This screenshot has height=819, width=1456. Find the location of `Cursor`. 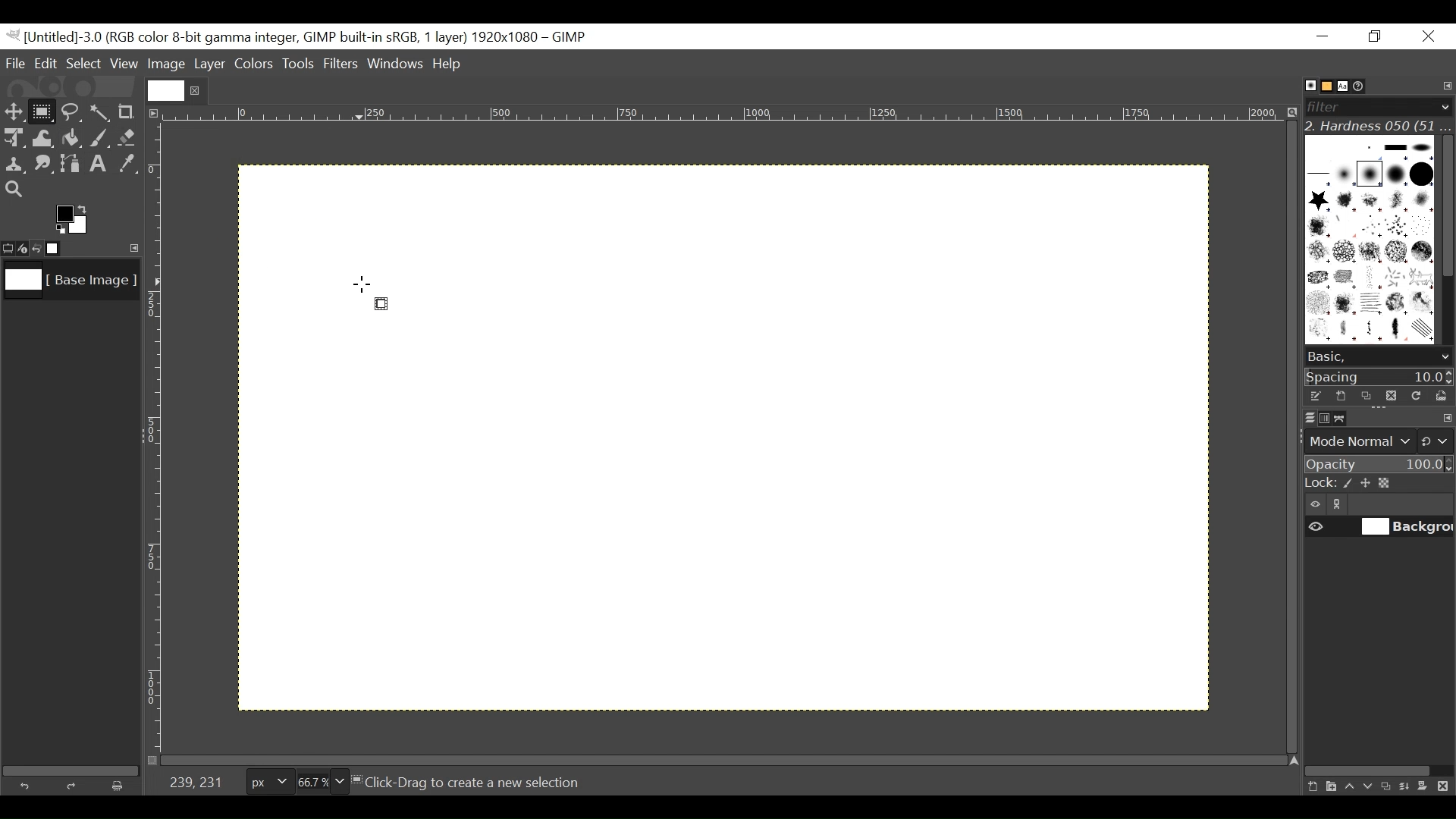

Cursor is located at coordinates (361, 283).